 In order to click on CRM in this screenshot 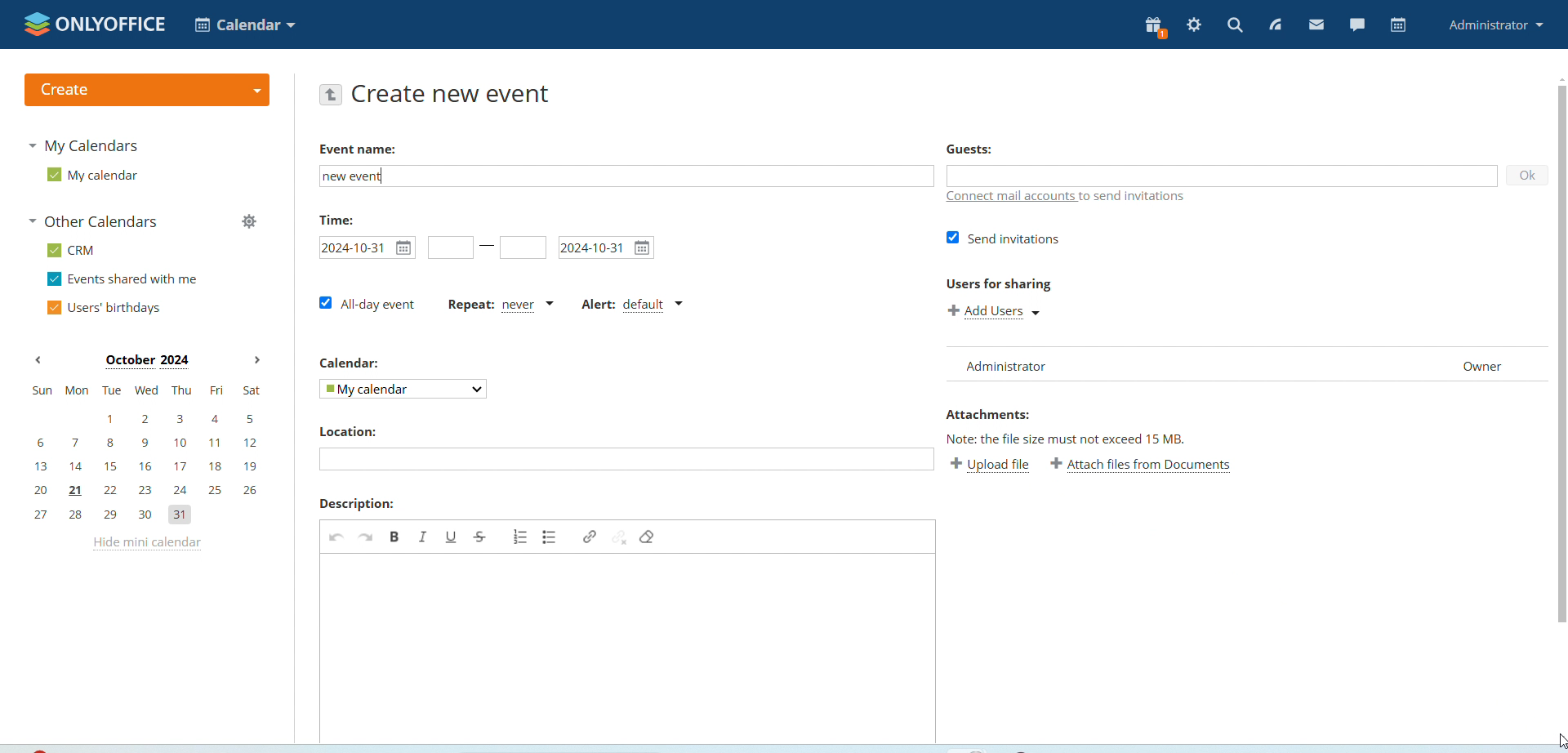, I will do `click(73, 250)`.